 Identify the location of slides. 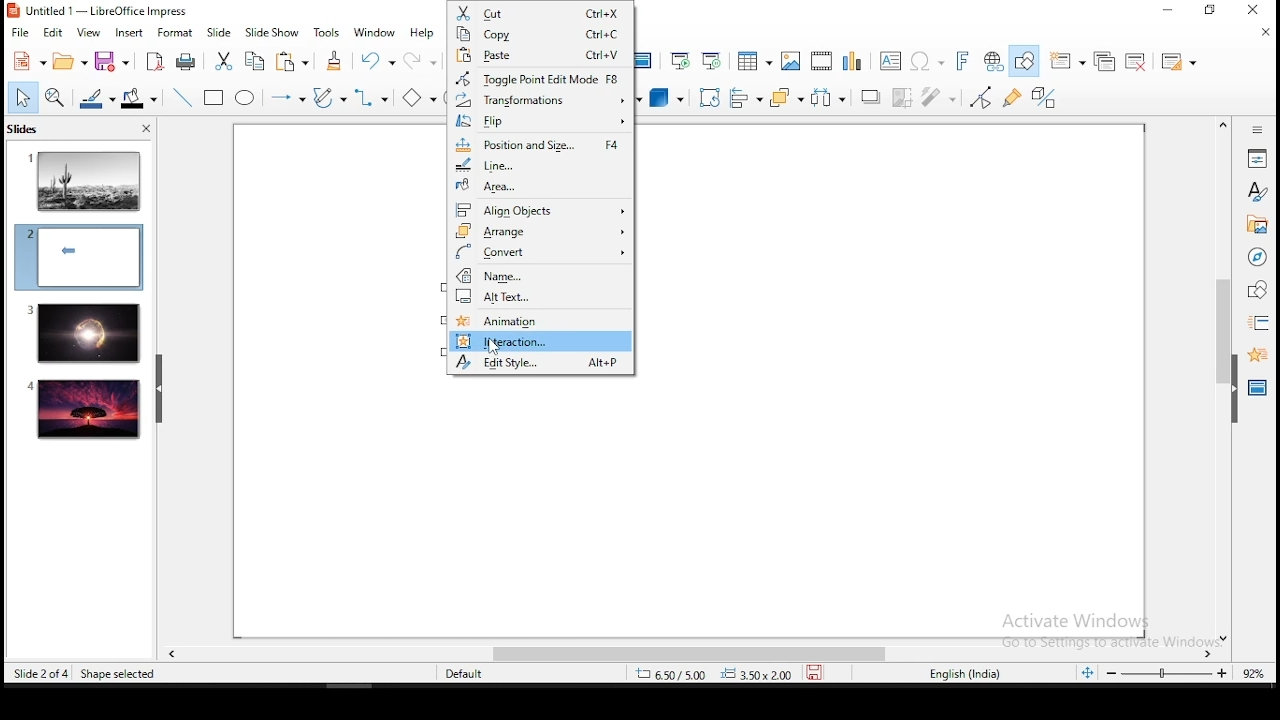
(27, 128).